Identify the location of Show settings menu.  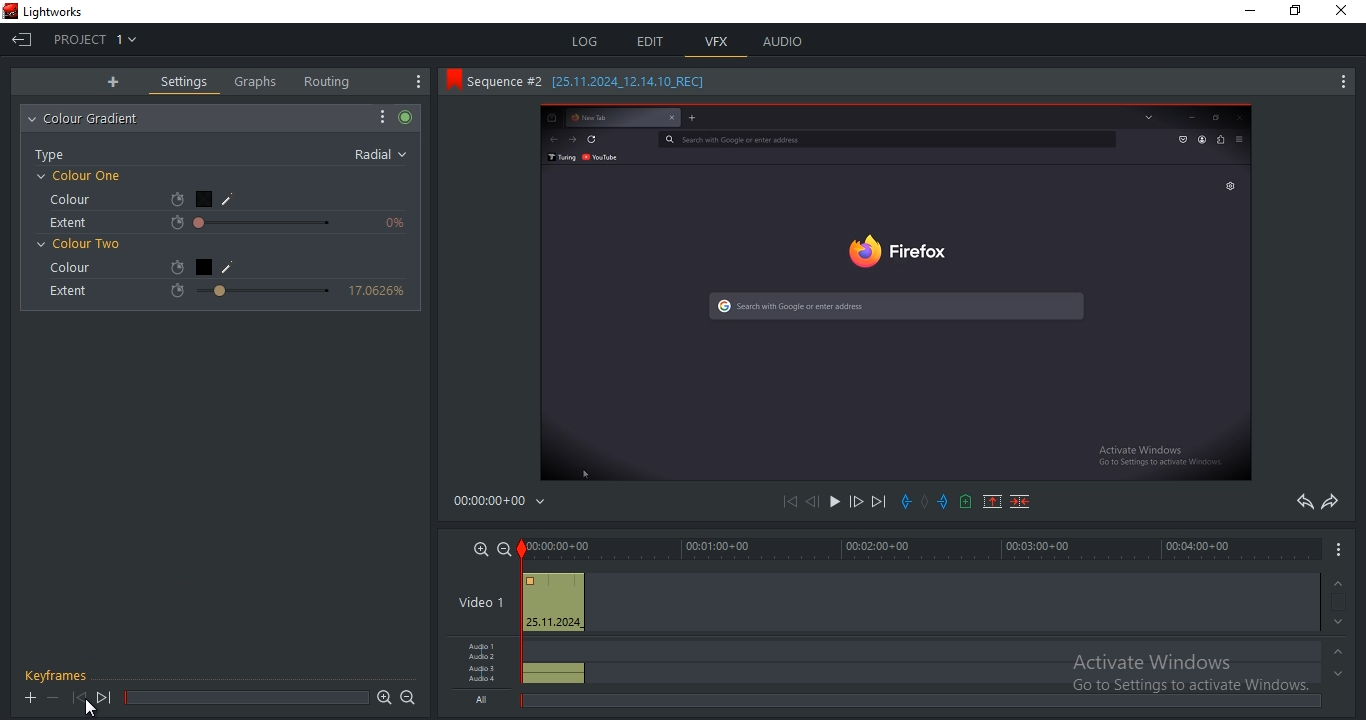
(1339, 556).